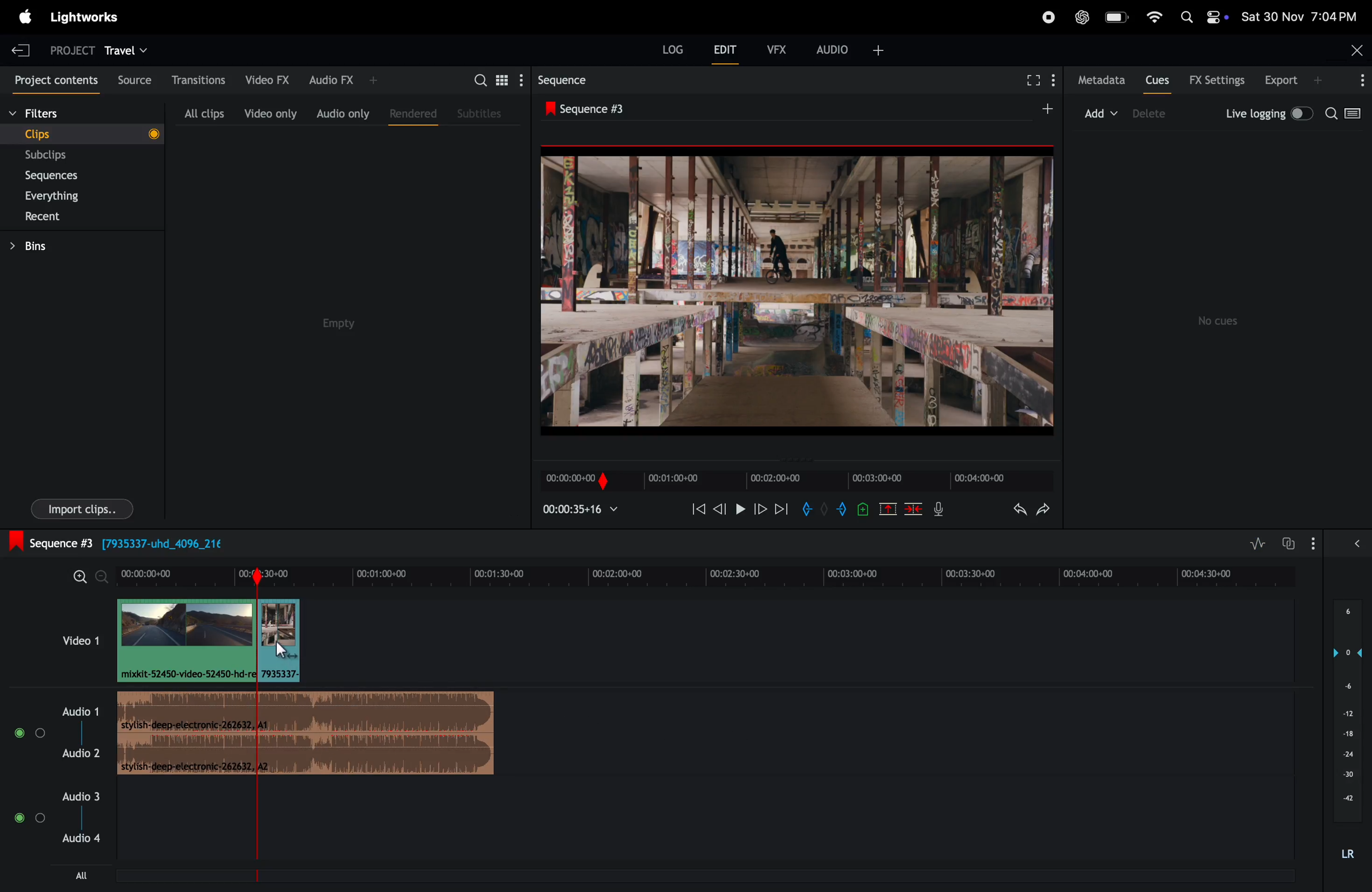  Describe the element at coordinates (1351, 852) in the screenshot. I see `LR` at that location.